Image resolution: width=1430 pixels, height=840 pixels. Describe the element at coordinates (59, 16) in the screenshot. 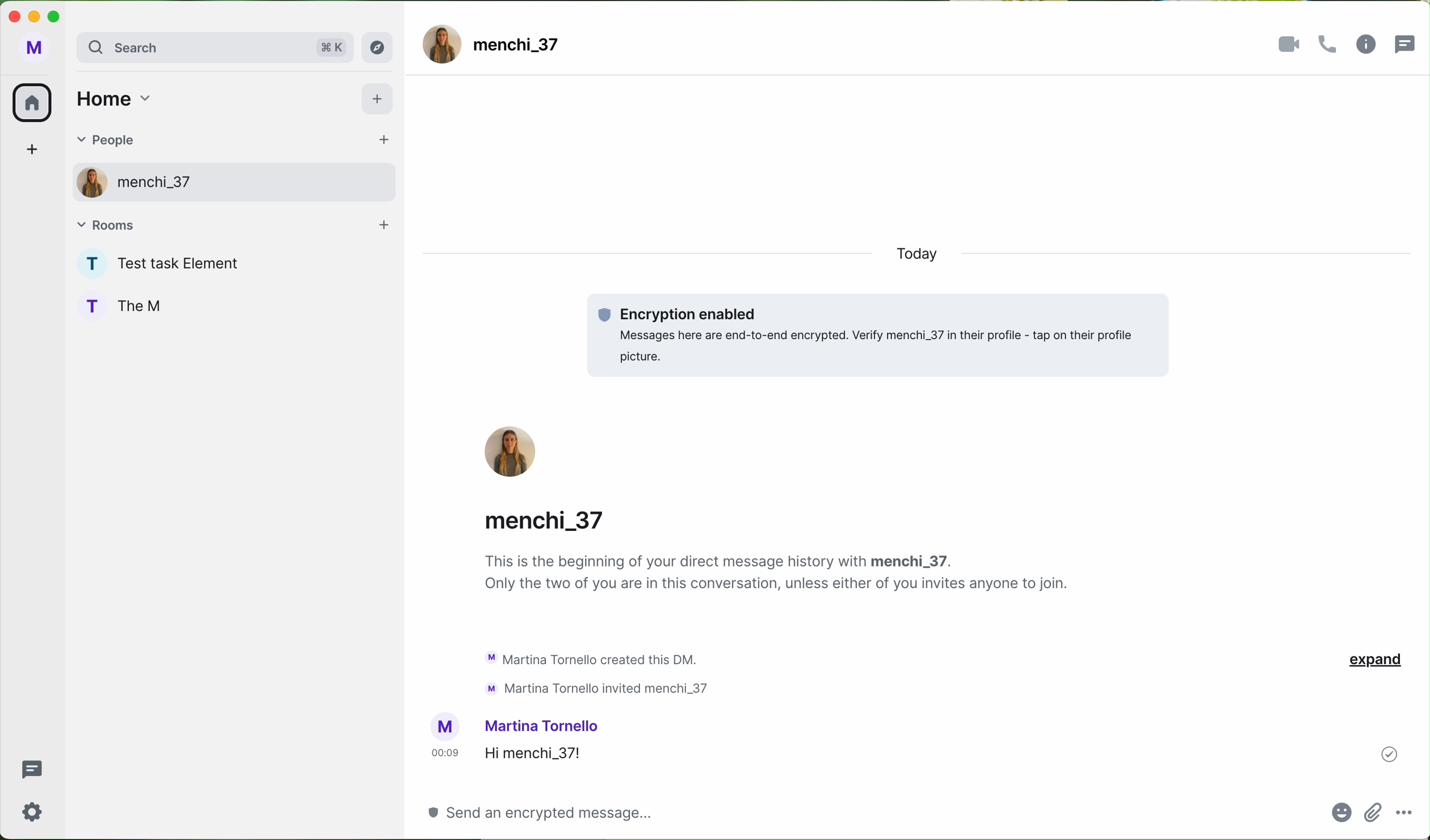

I see `maximize` at that location.